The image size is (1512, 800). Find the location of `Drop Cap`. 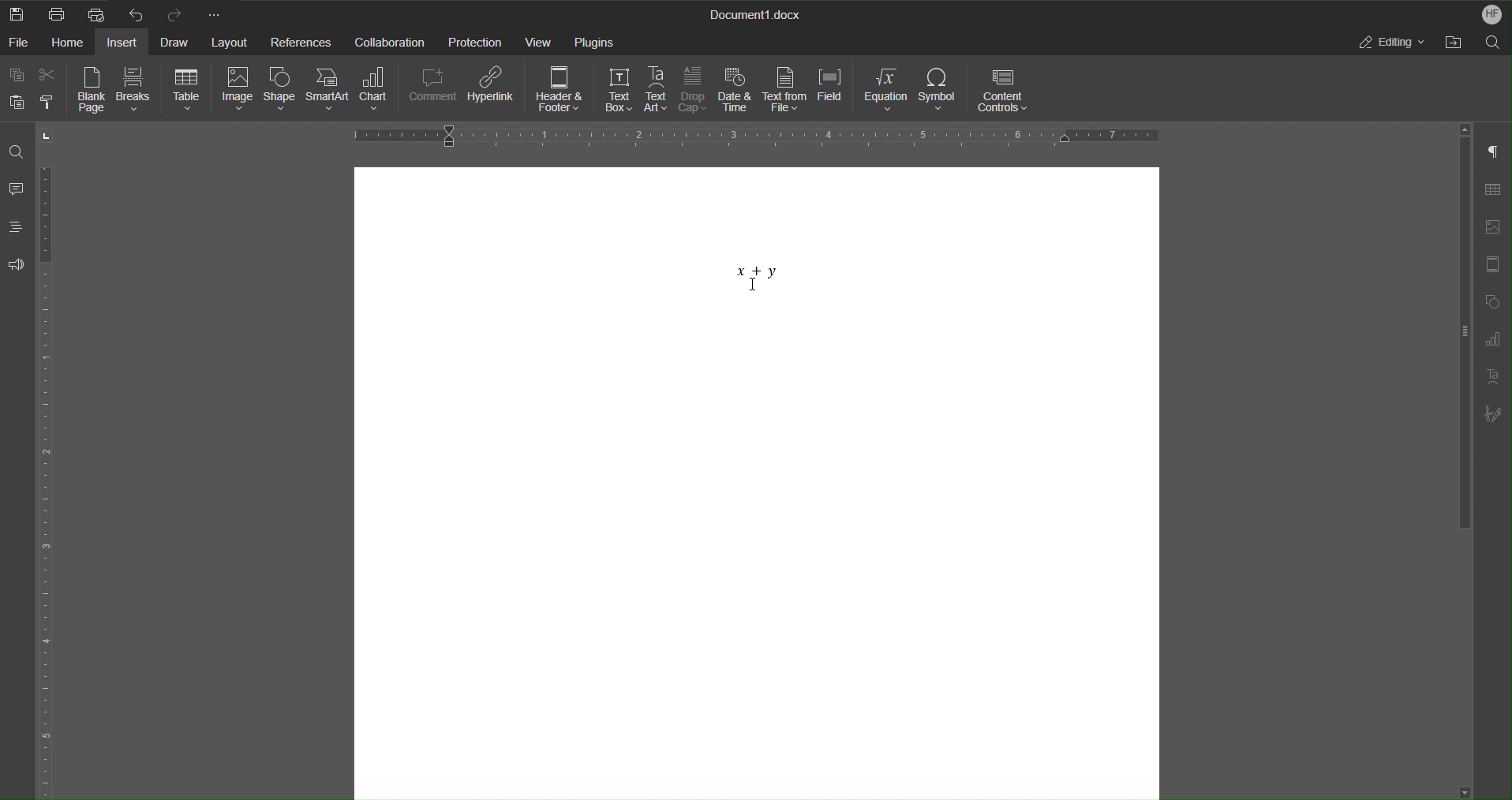

Drop Cap is located at coordinates (695, 92).